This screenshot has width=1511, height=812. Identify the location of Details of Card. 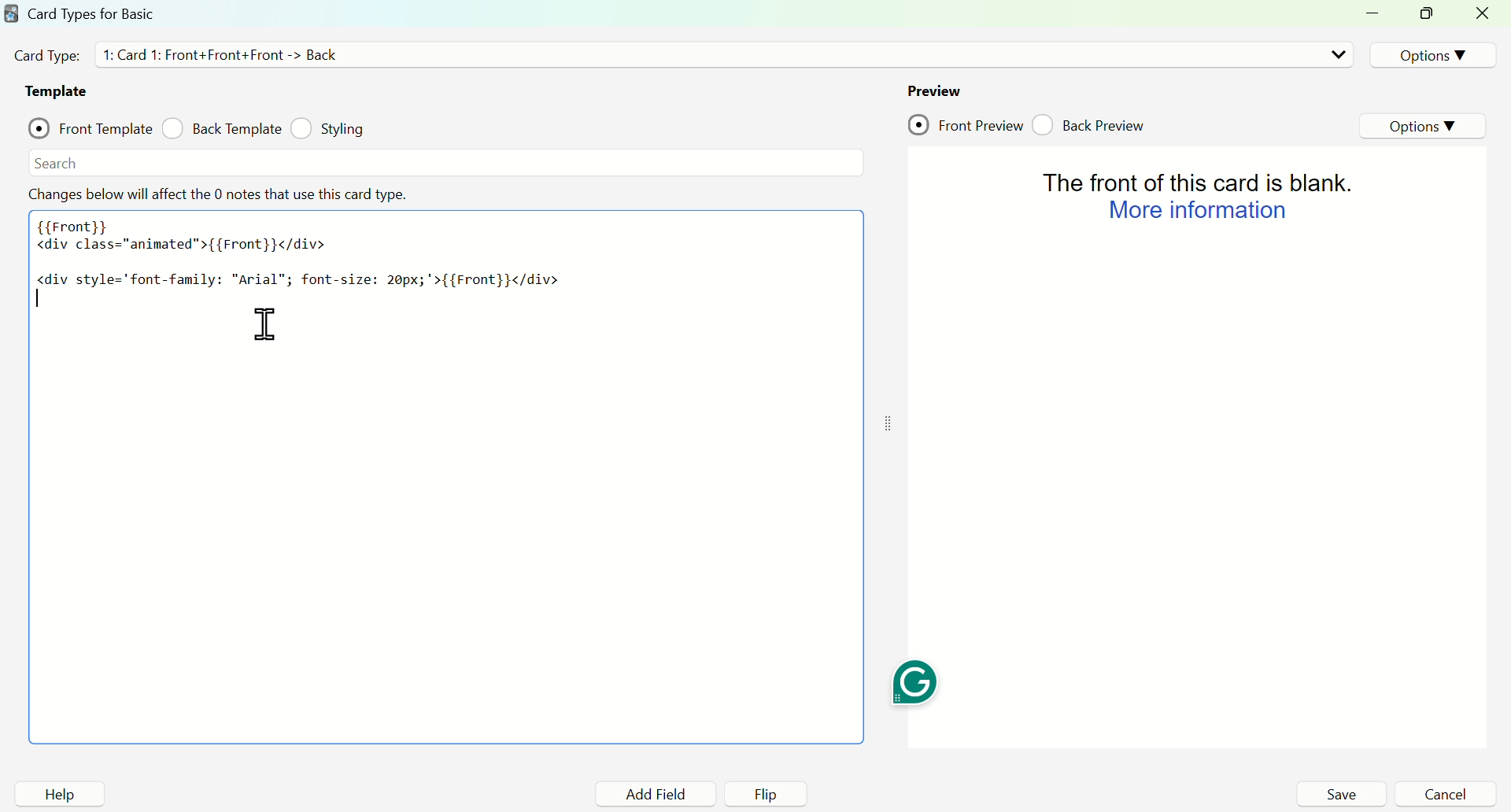
(227, 54).